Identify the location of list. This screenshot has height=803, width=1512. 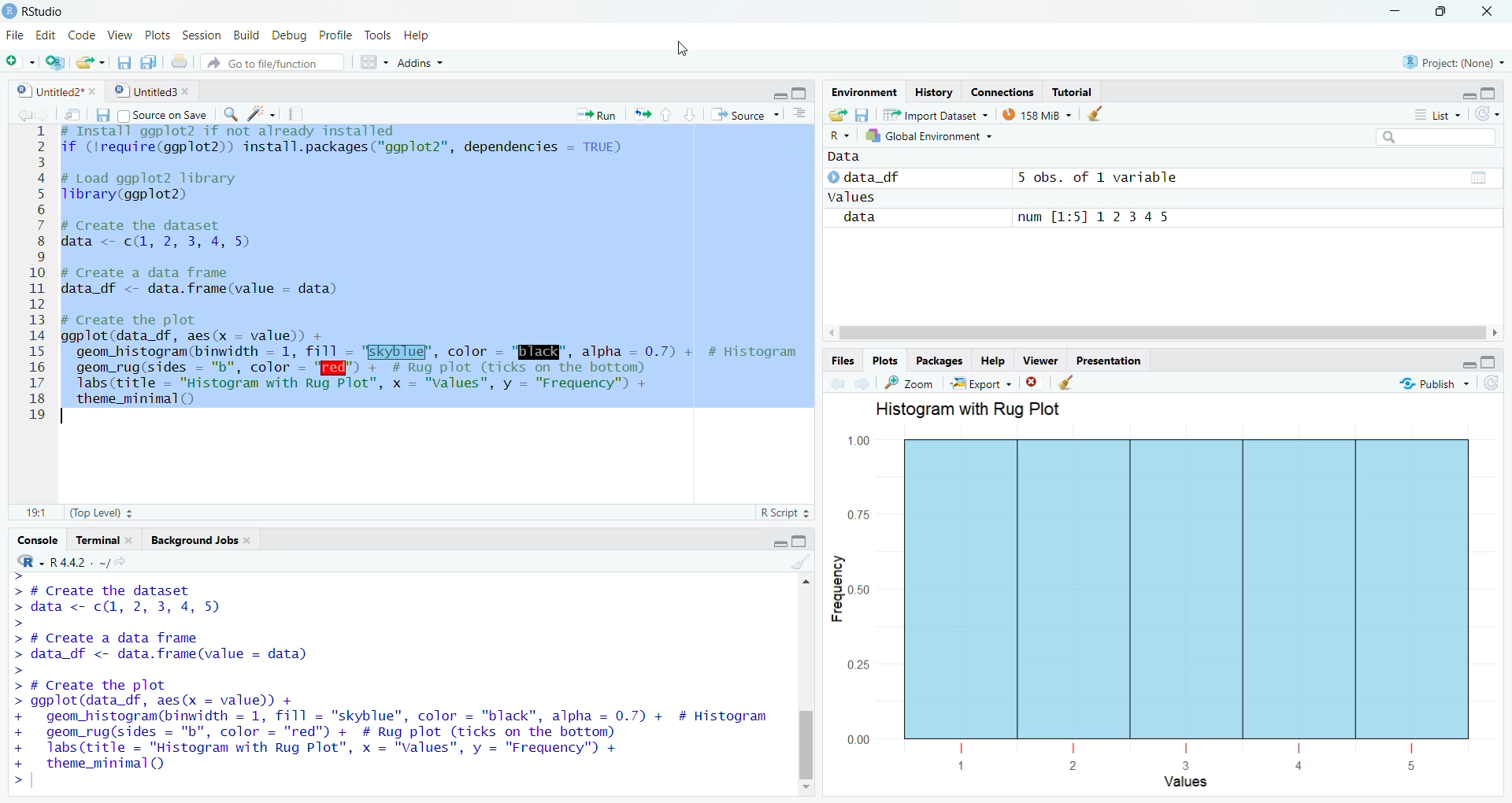
(1432, 113).